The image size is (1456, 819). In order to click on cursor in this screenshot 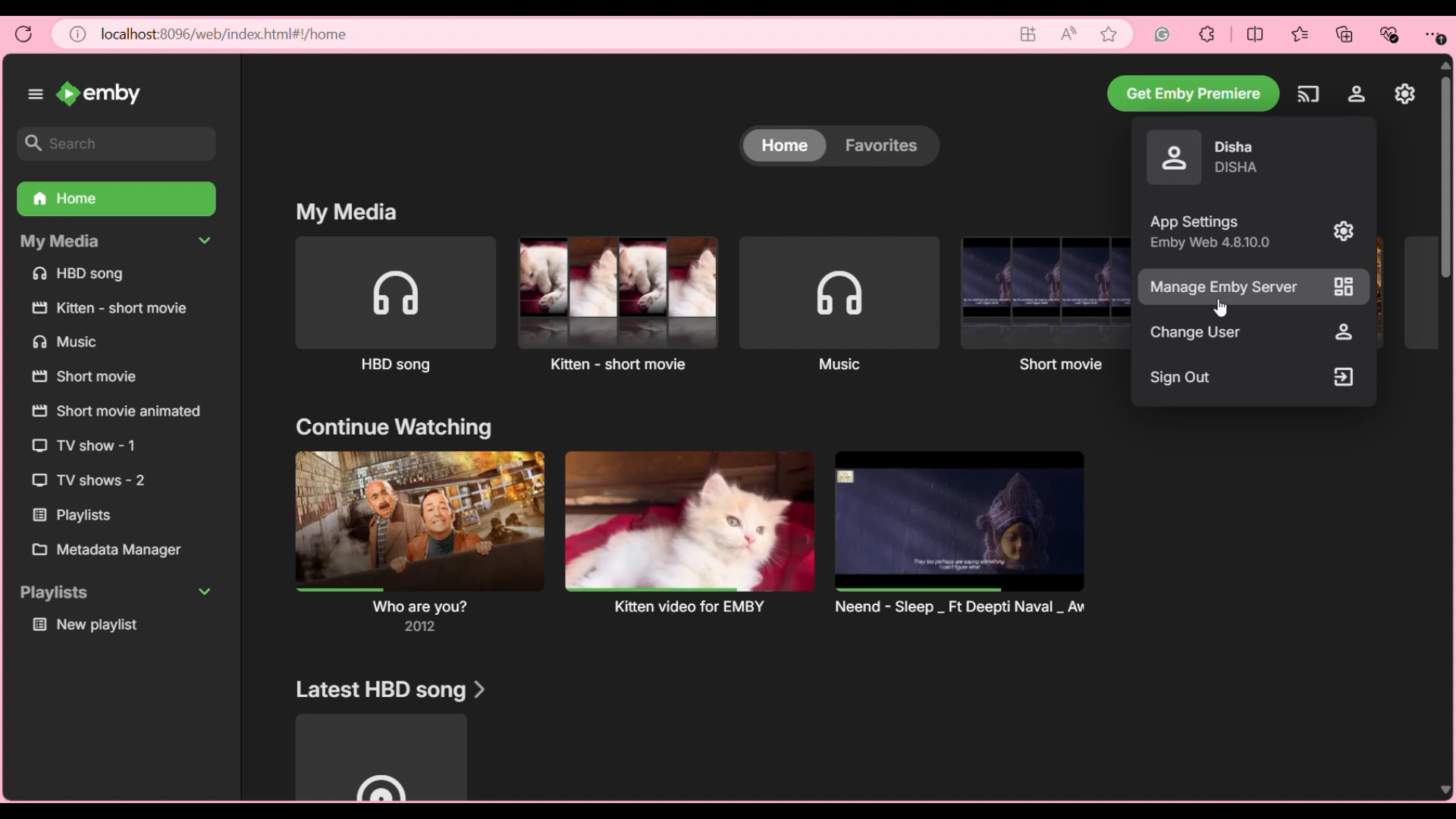, I will do `click(1358, 106)`.